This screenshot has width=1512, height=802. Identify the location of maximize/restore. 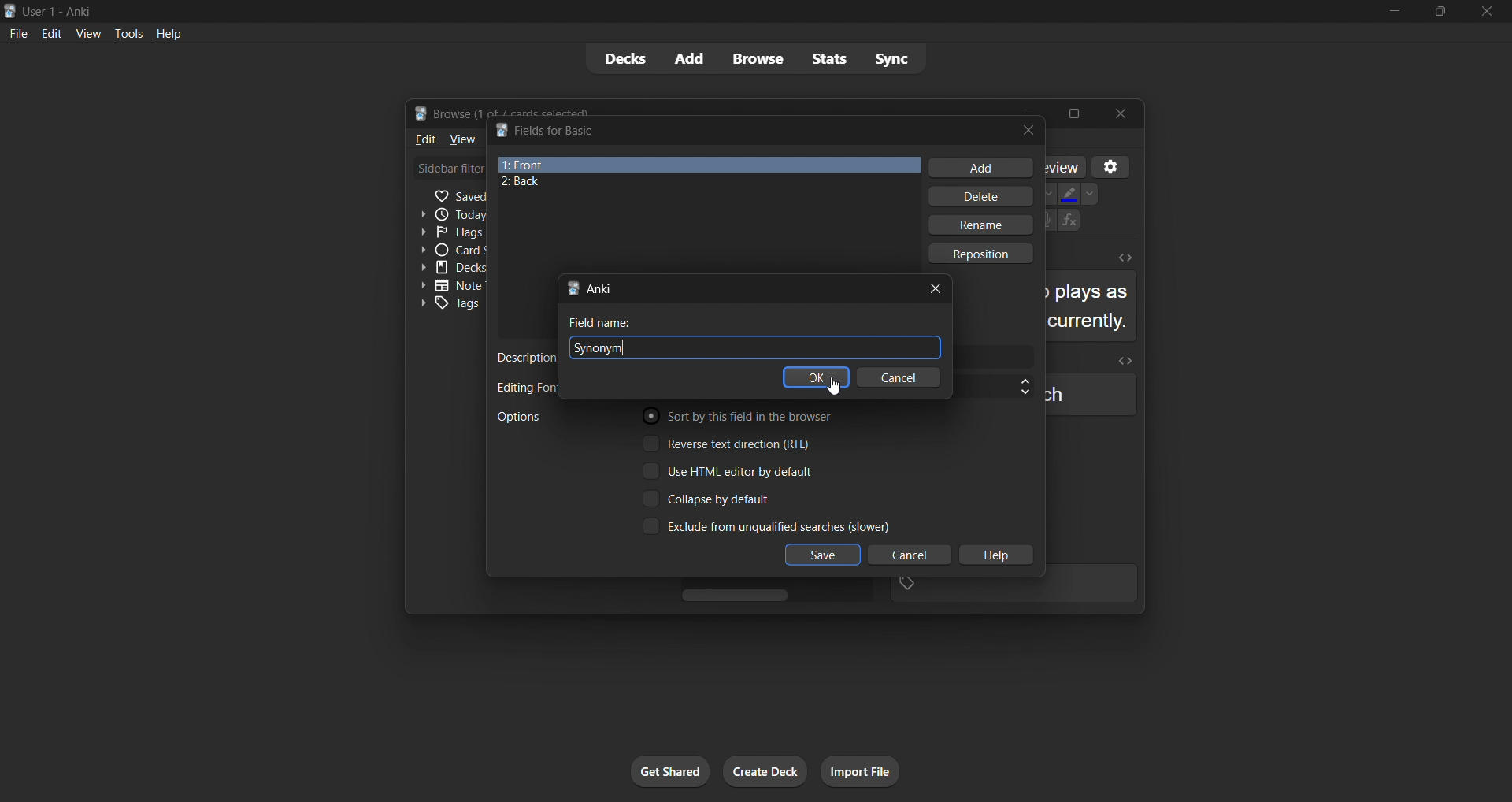
(1438, 13).